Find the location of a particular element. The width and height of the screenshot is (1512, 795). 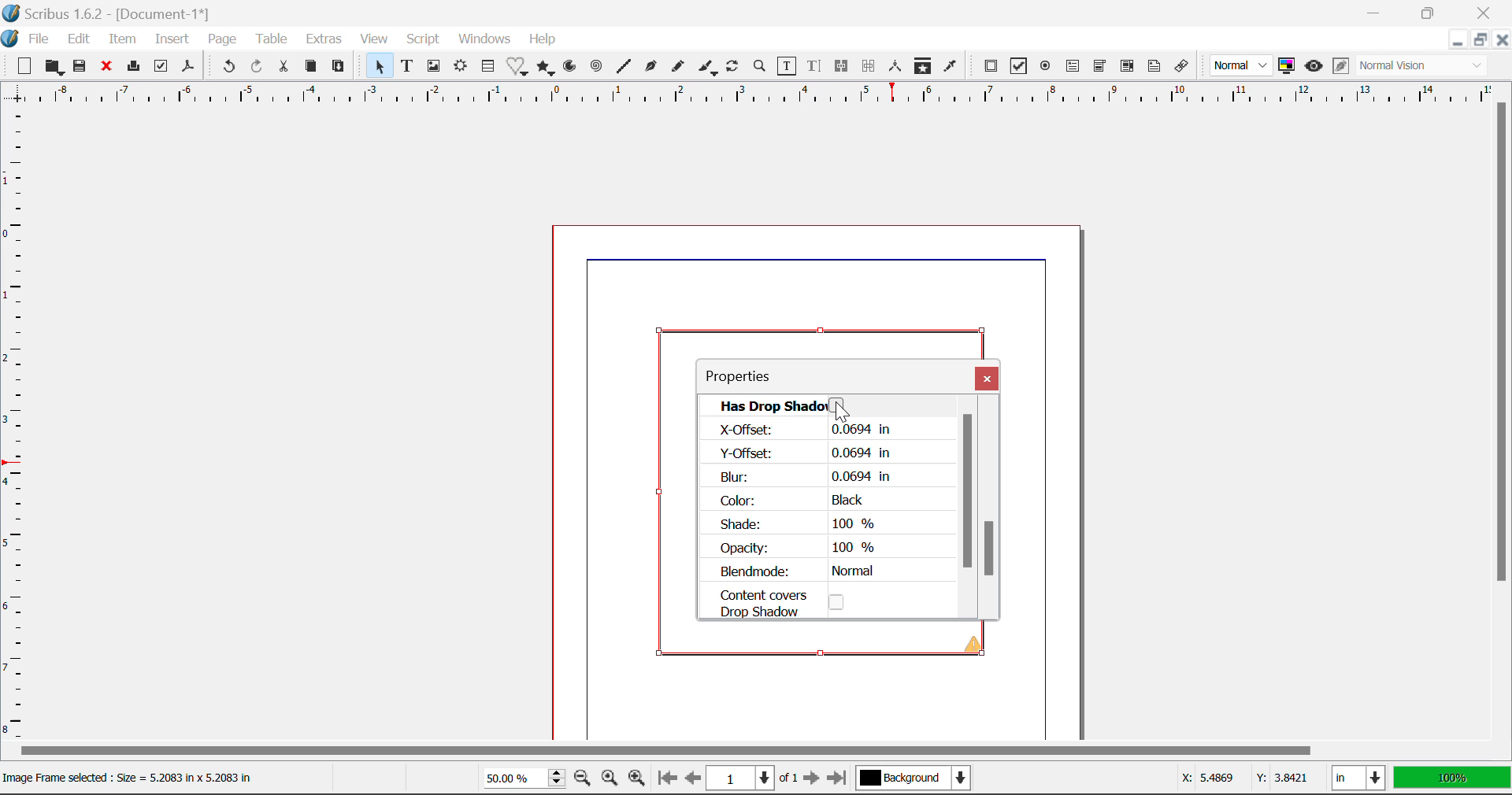

Vertical Page Margins is located at coordinates (747, 98).